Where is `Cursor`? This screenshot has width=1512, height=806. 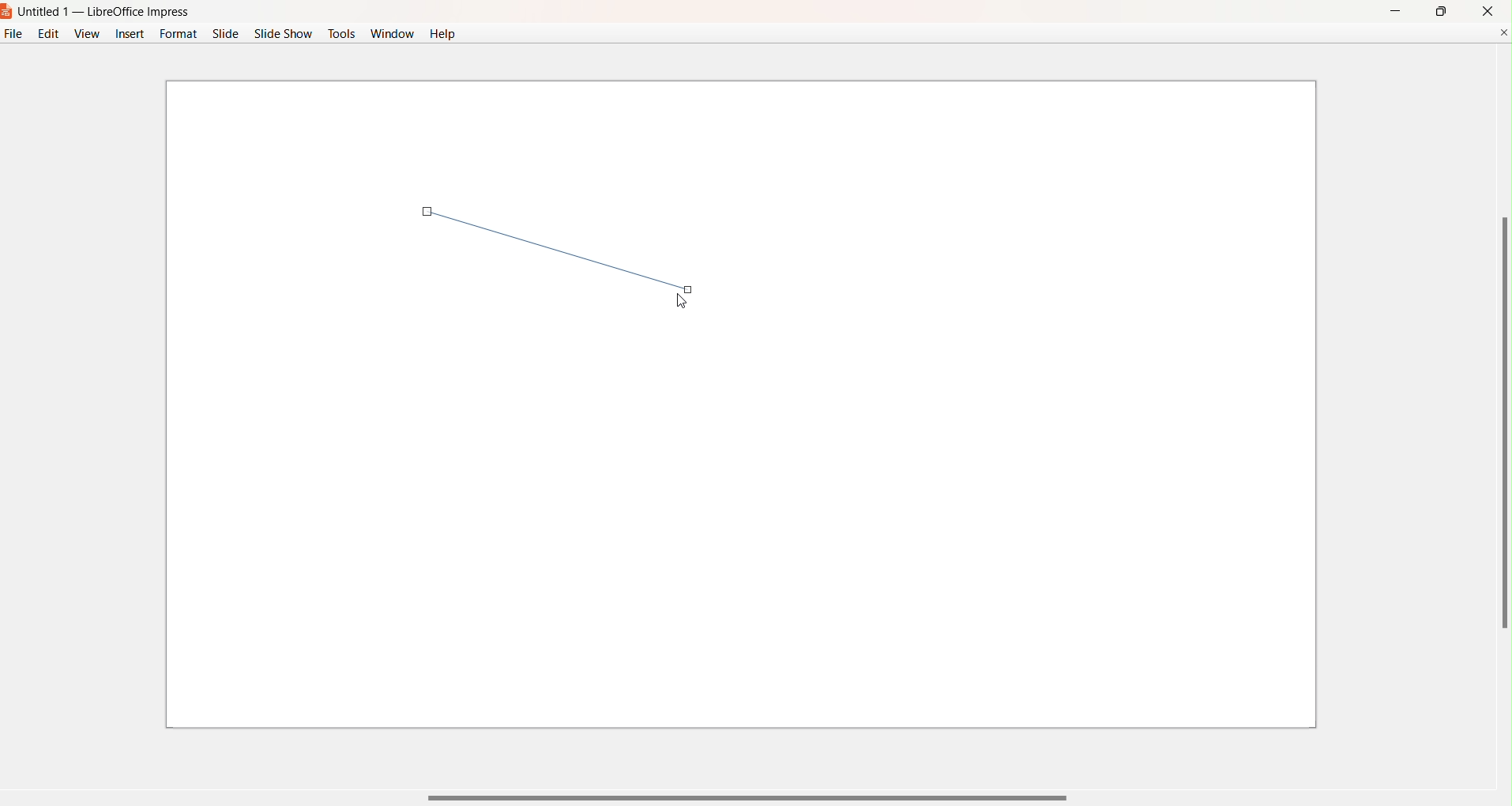 Cursor is located at coordinates (689, 301).